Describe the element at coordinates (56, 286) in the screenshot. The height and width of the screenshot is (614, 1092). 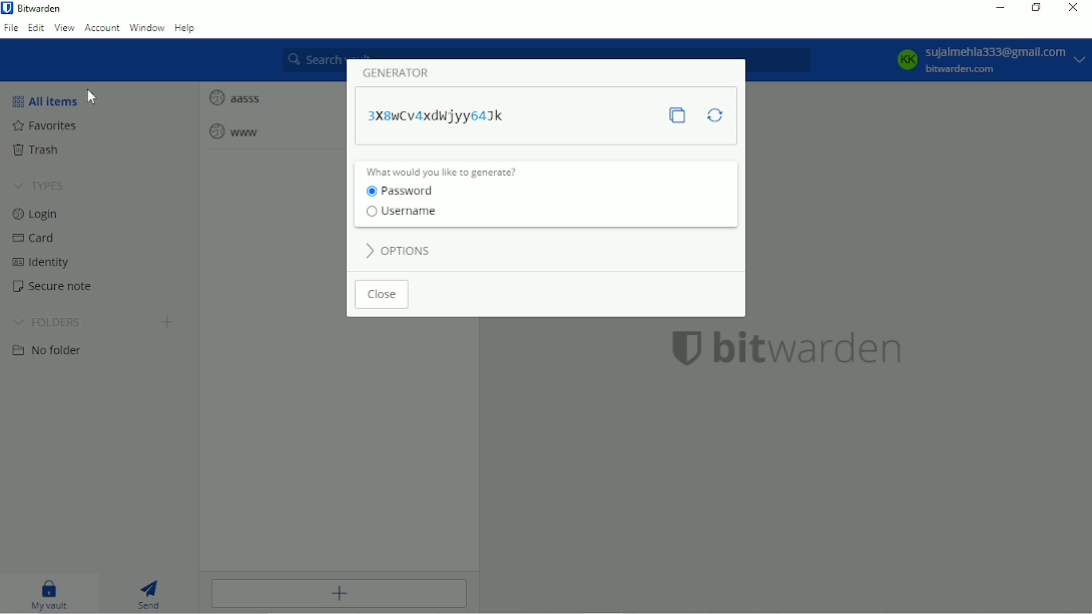
I see `Secure note` at that location.